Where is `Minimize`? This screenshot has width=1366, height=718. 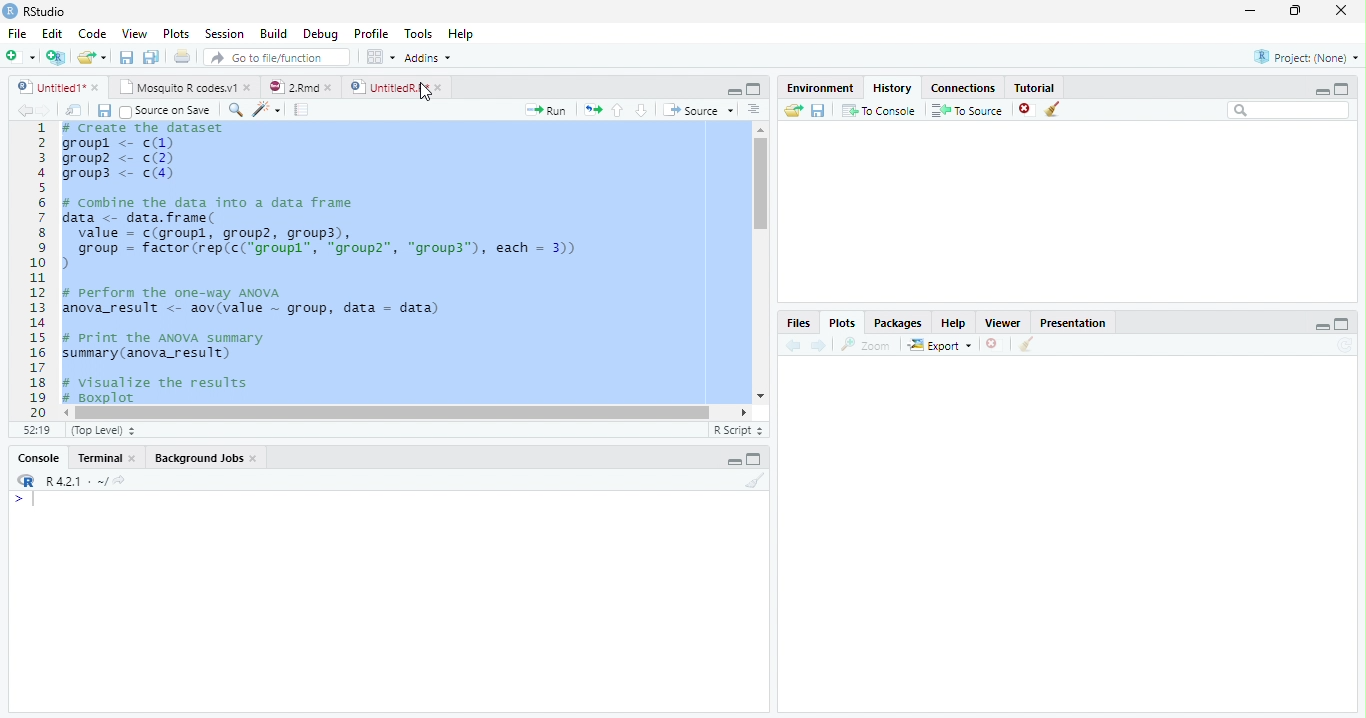 Minimize is located at coordinates (734, 463).